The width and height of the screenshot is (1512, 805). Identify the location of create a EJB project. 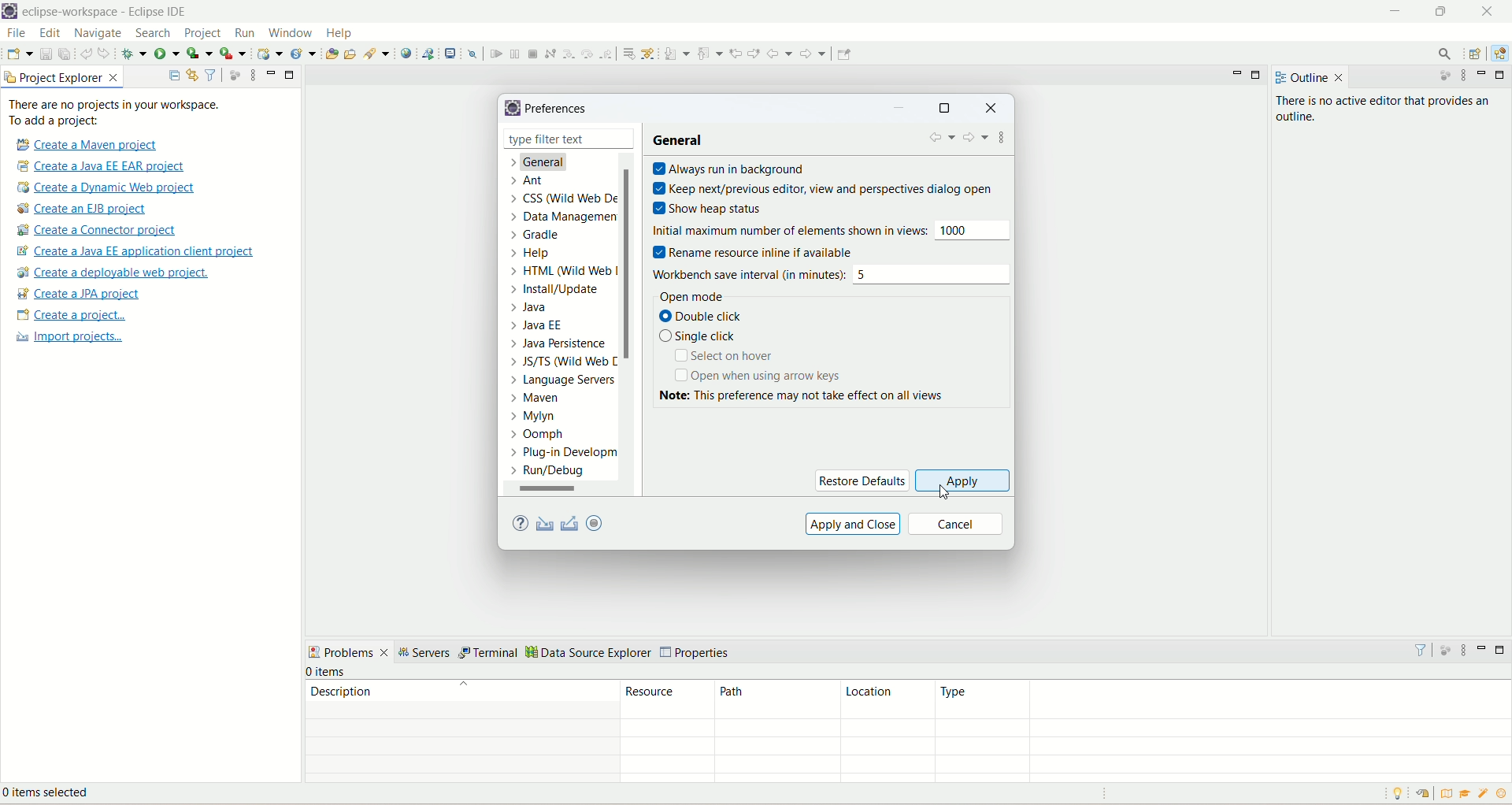
(92, 209).